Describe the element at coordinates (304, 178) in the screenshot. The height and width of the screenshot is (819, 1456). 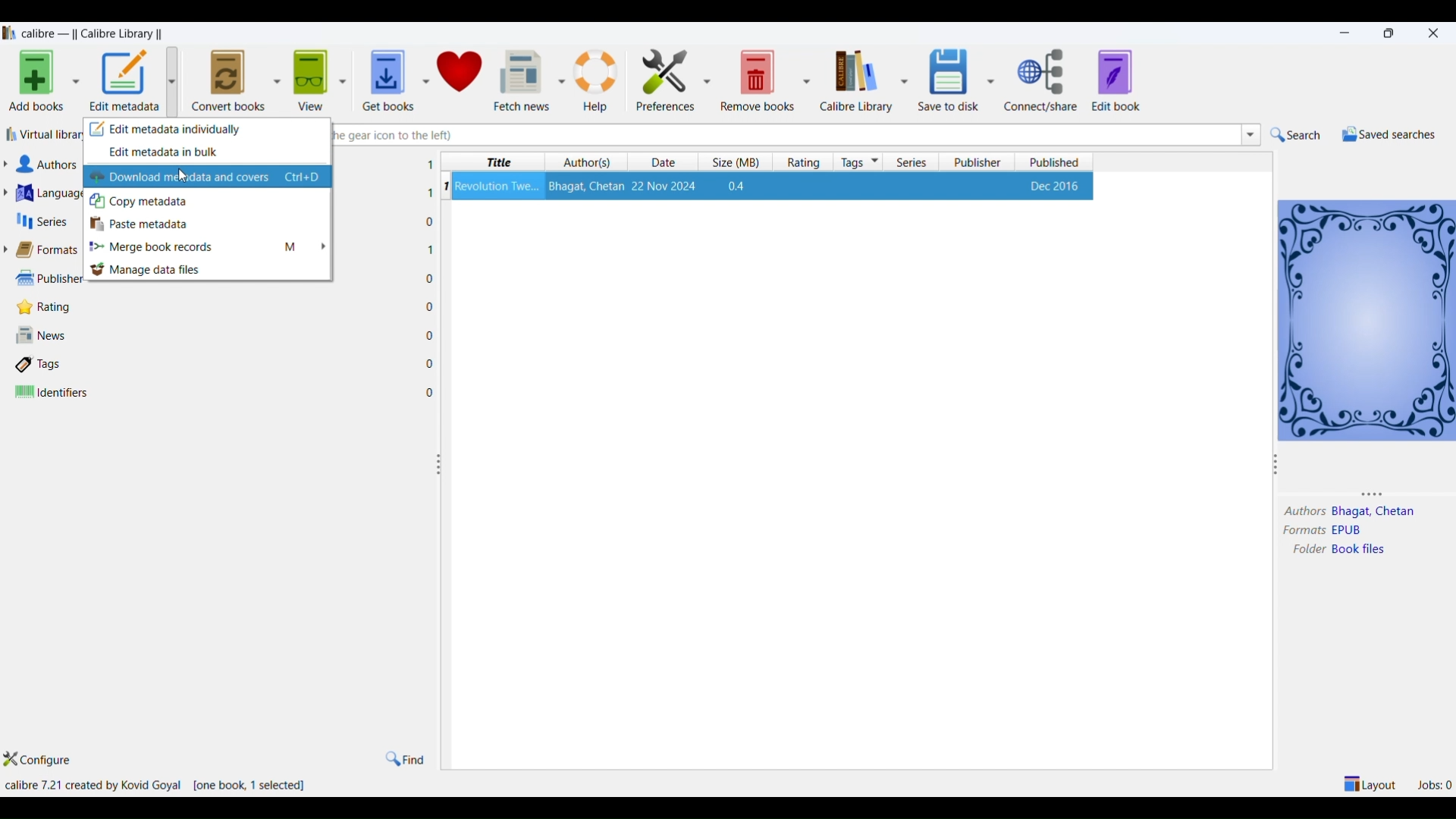
I see `ctrl+D` at that location.